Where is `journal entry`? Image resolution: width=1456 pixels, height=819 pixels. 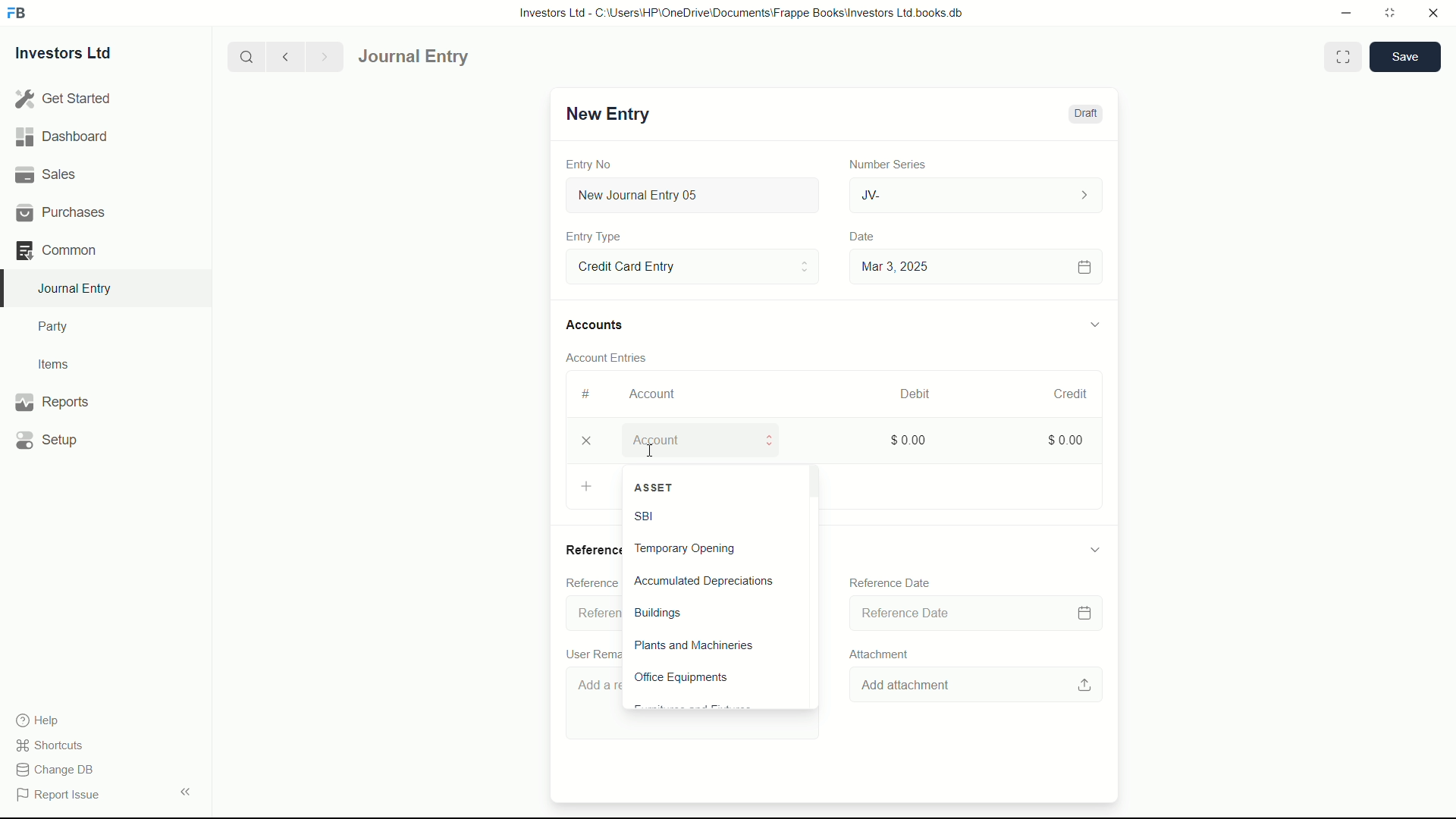
journal entry is located at coordinates (457, 57).